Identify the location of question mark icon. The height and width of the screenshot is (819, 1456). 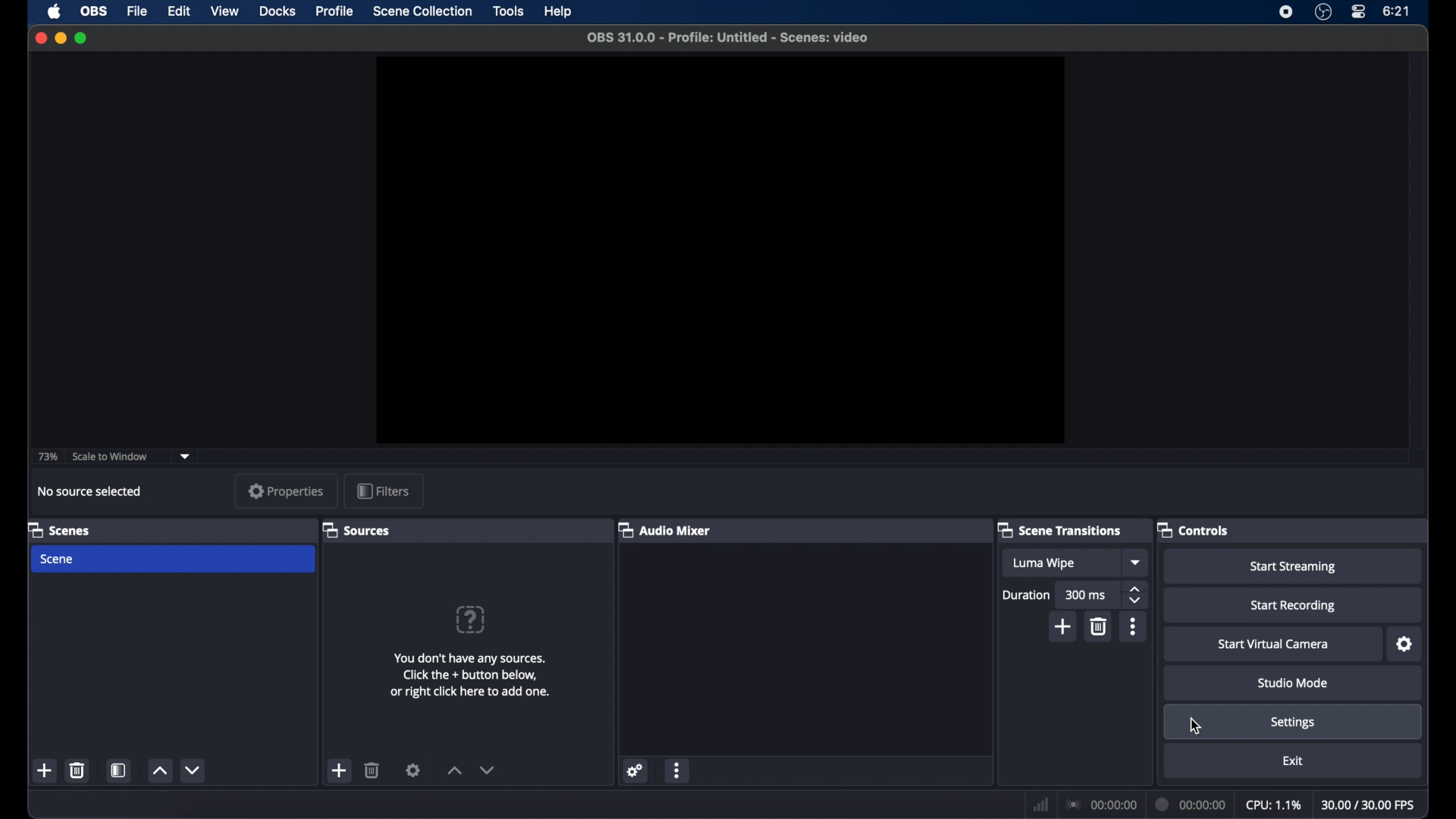
(469, 620).